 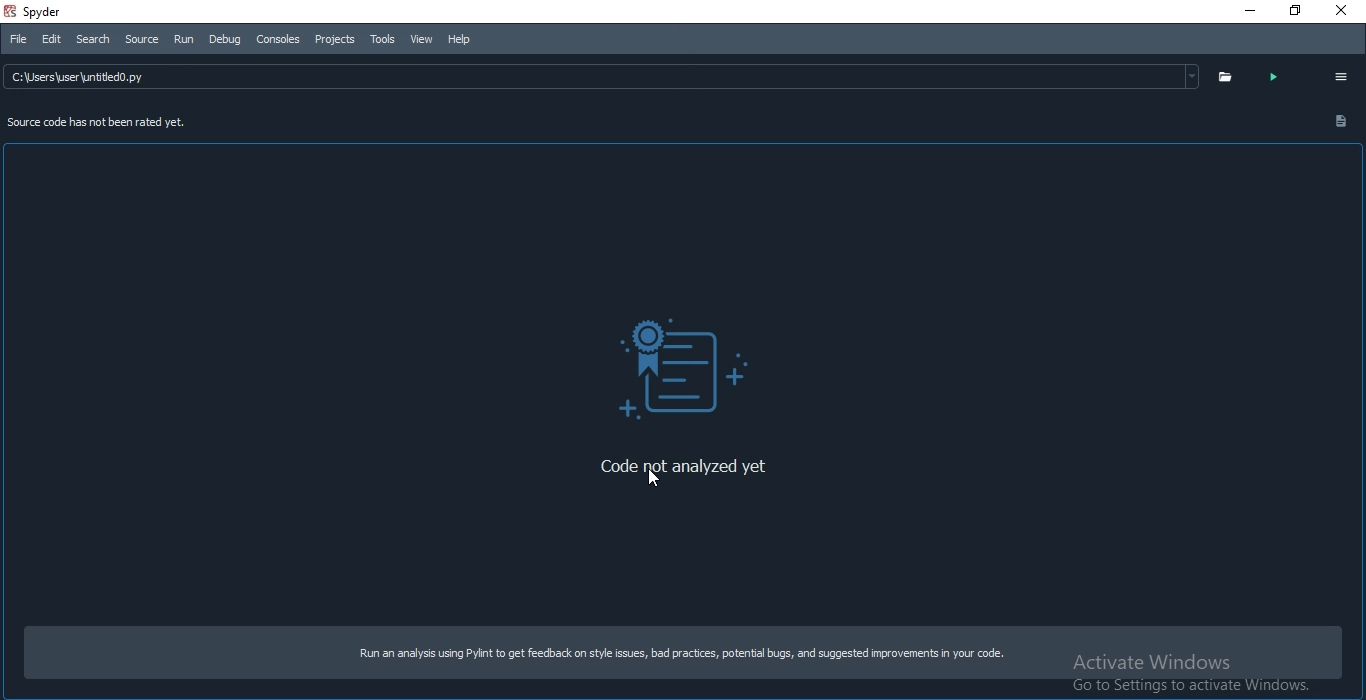 What do you see at coordinates (224, 38) in the screenshot?
I see `Debug` at bounding box center [224, 38].